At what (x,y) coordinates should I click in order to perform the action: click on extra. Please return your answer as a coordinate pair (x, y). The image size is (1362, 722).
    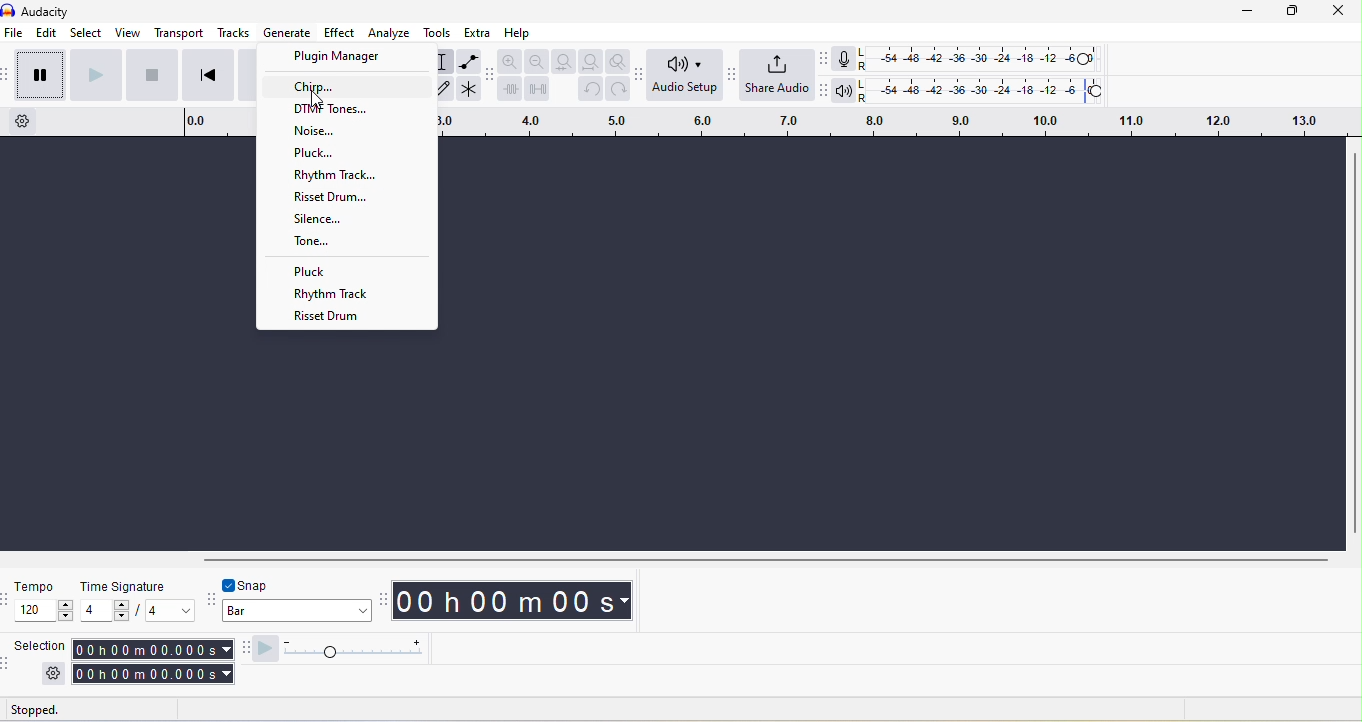
    Looking at the image, I should click on (476, 32).